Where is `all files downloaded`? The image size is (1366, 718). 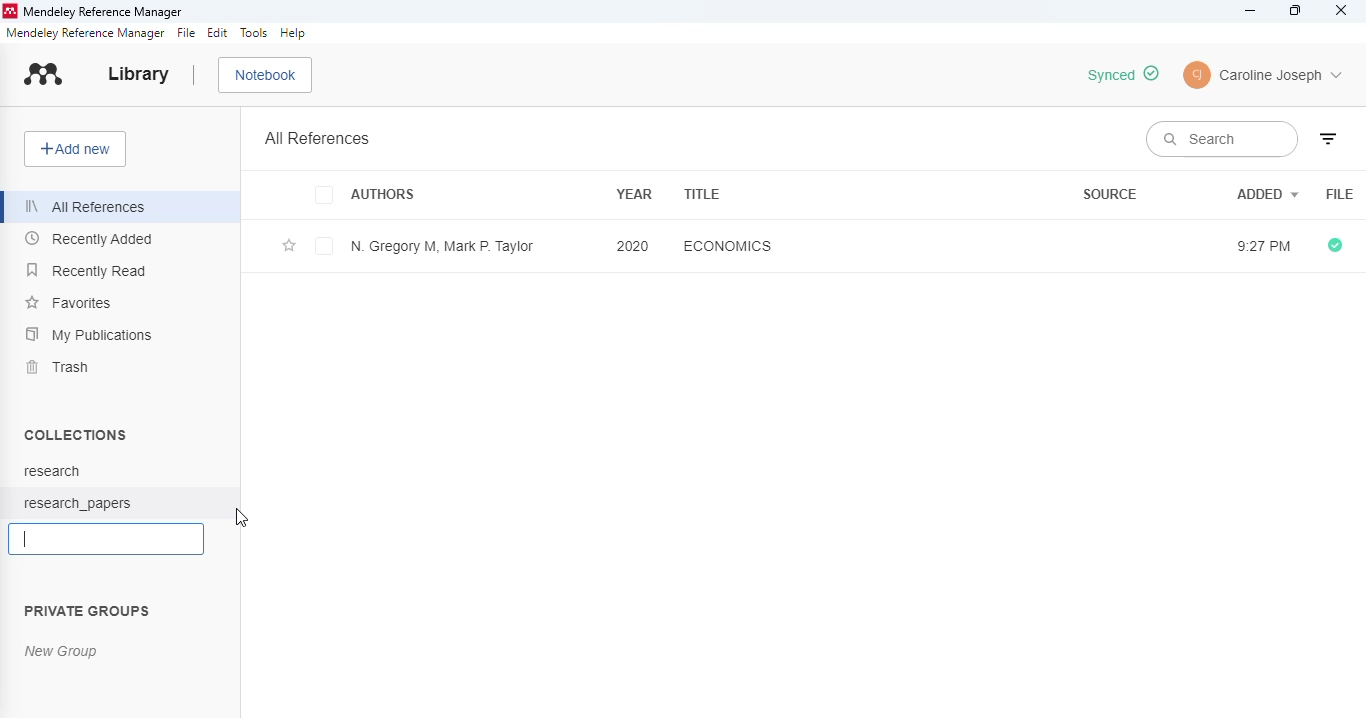
all files downloaded is located at coordinates (1335, 246).